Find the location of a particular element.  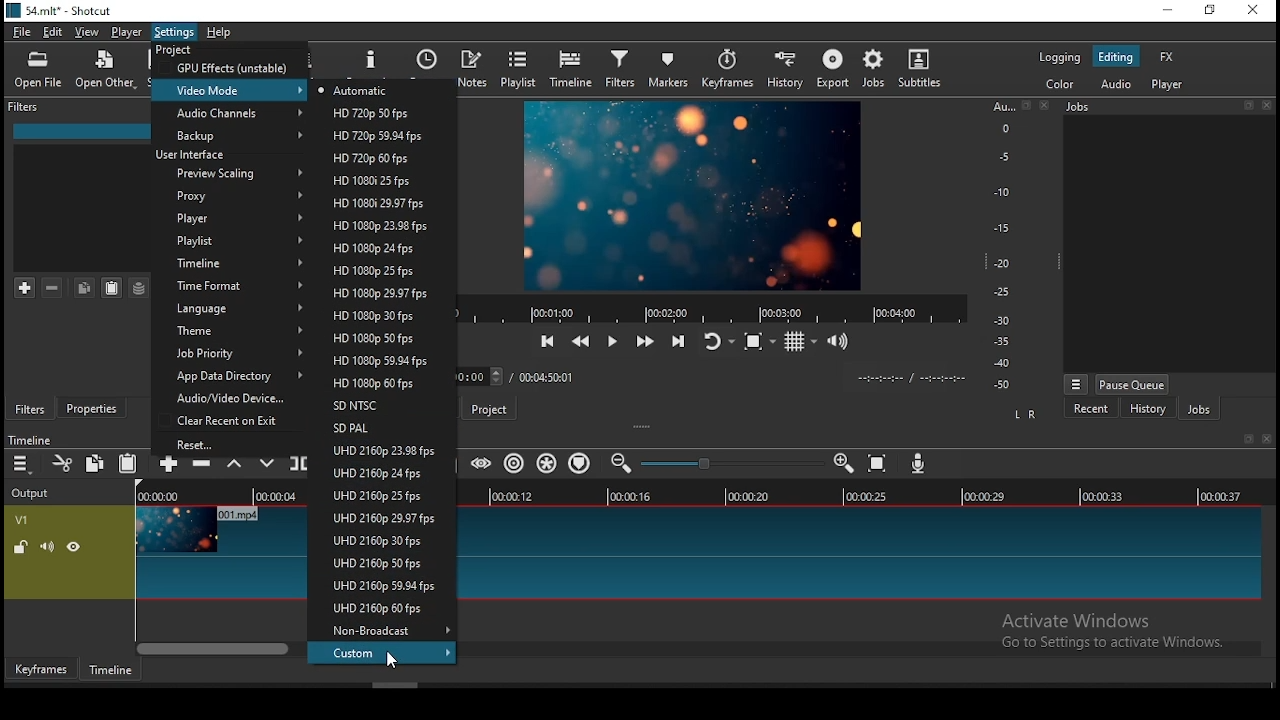

volume control is located at coordinates (842, 340).